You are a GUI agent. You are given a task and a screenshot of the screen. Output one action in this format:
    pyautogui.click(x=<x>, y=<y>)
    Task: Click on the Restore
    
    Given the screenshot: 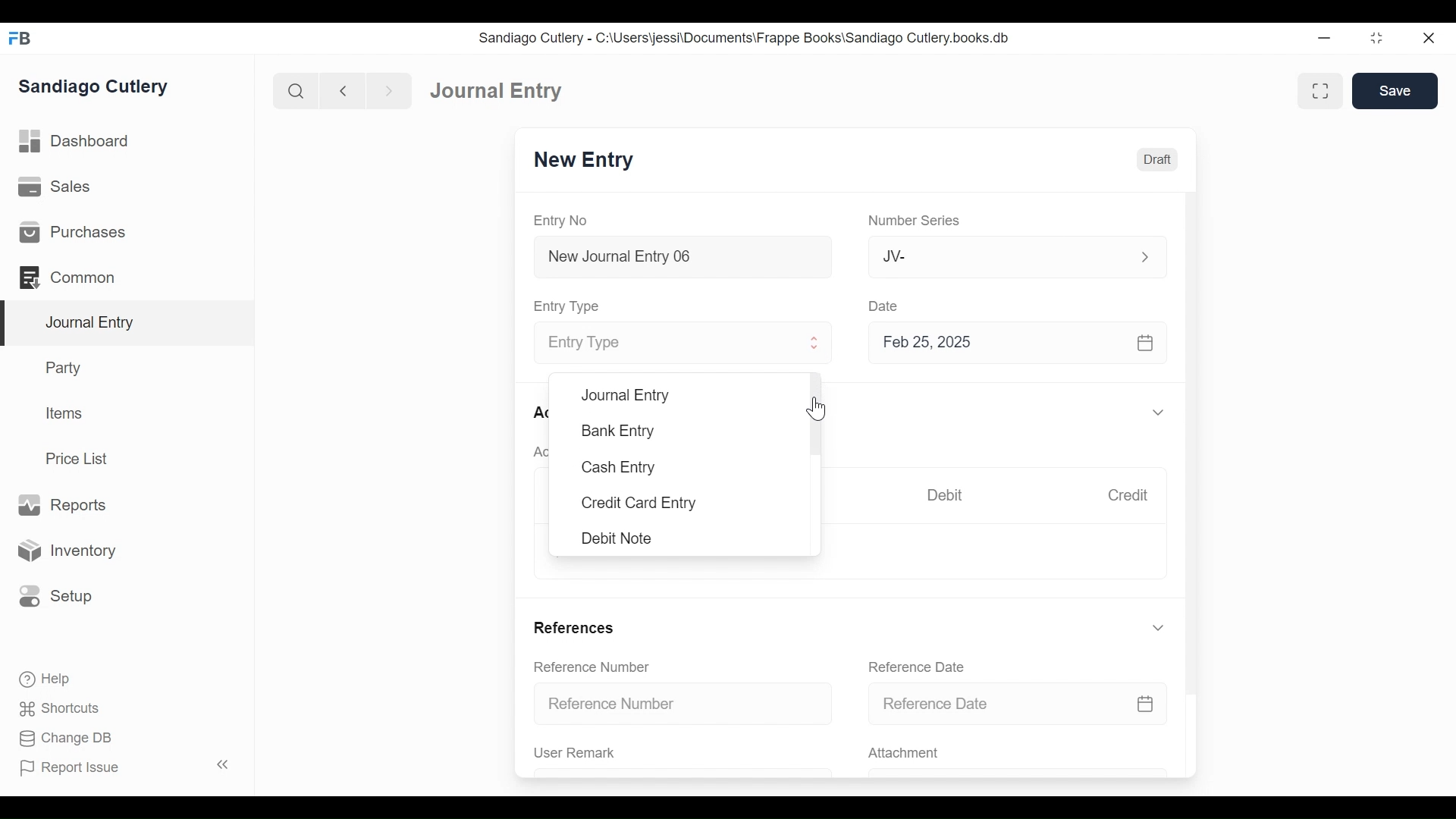 What is the action you would take?
    pyautogui.click(x=1379, y=37)
    